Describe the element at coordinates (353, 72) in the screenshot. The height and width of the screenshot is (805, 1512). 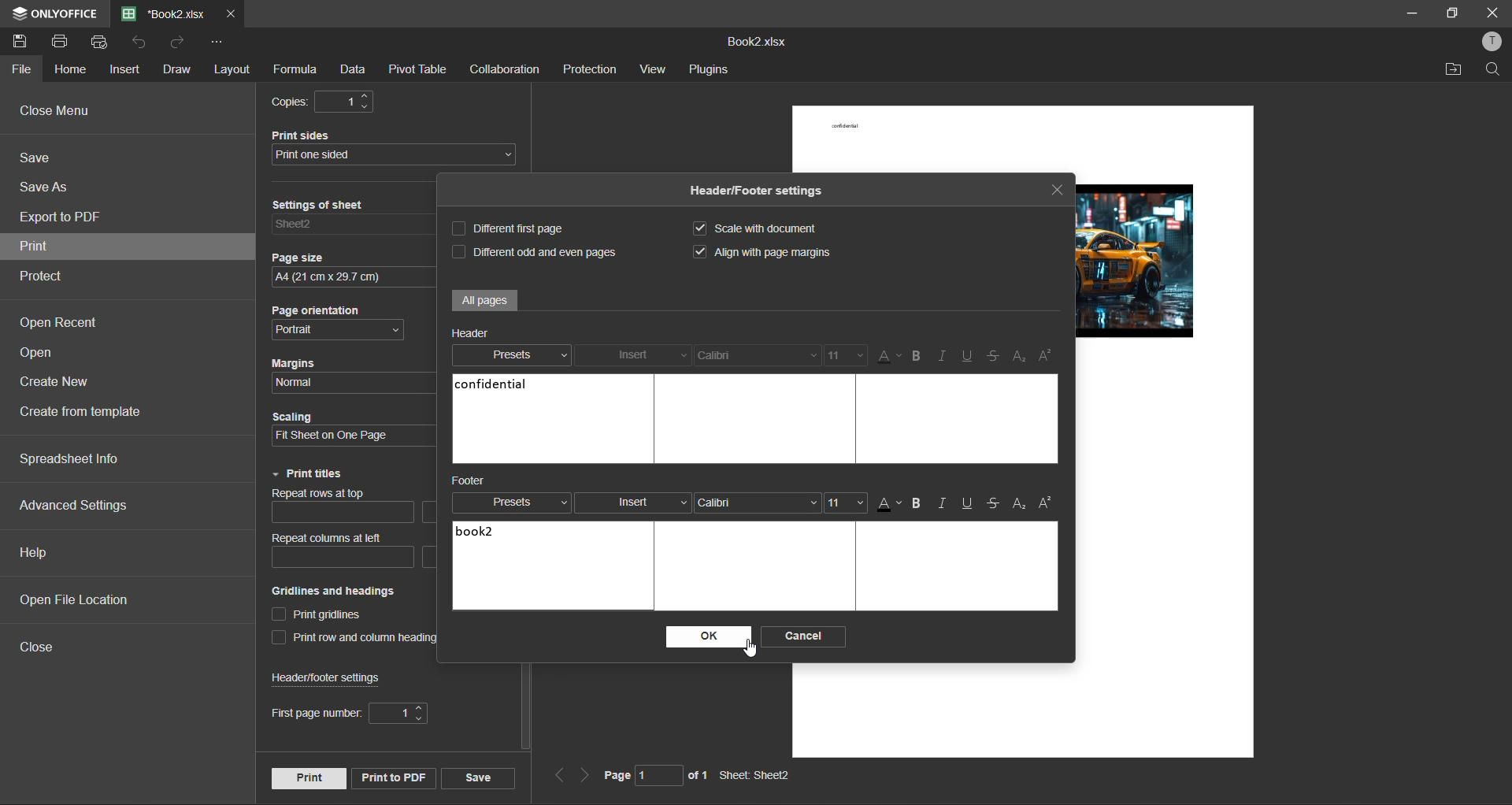
I see `data` at that location.